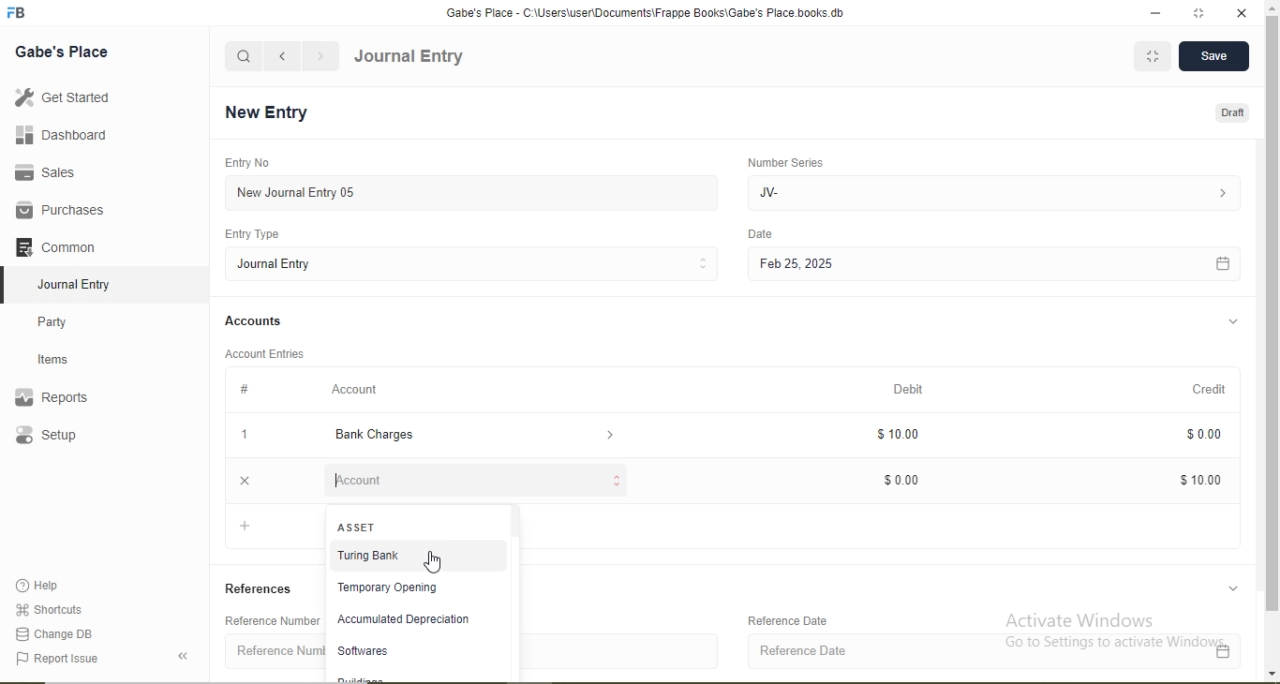 The height and width of the screenshot is (684, 1280). Describe the element at coordinates (910, 434) in the screenshot. I see `$0.00` at that location.